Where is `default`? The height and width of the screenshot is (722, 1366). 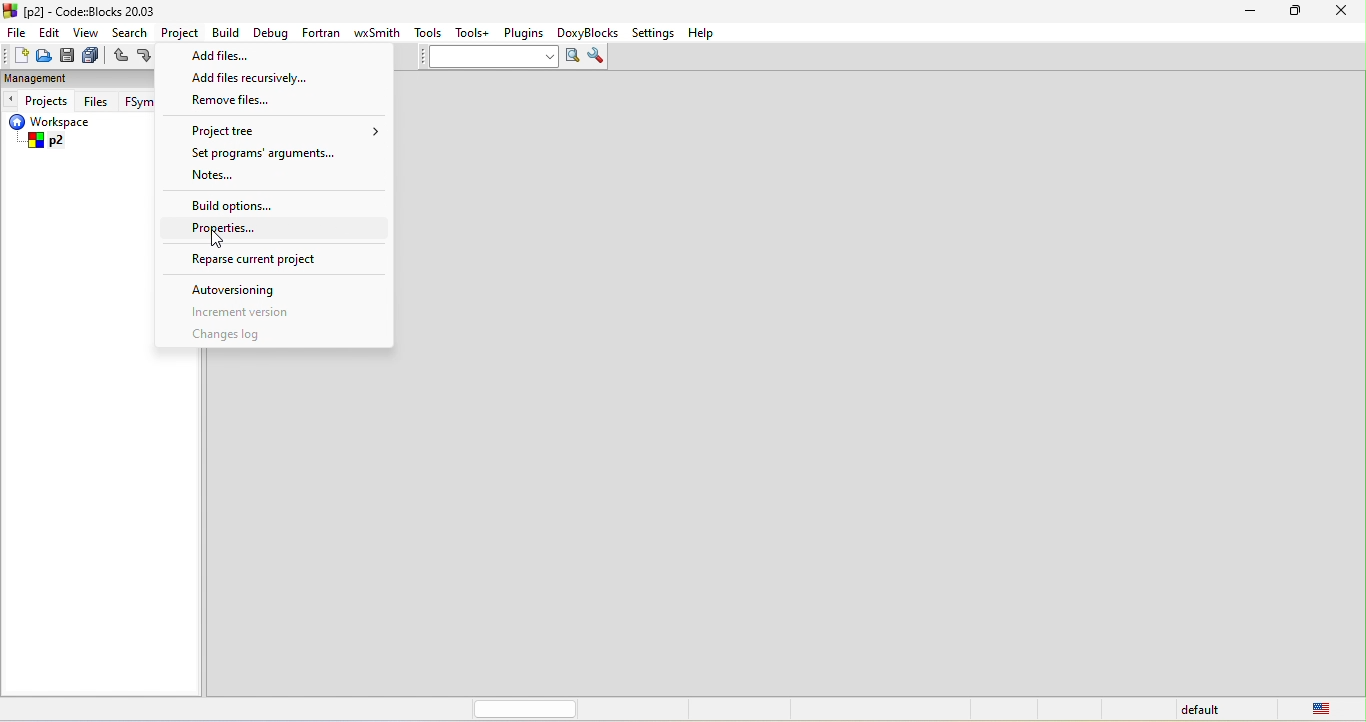 default is located at coordinates (1203, 710).